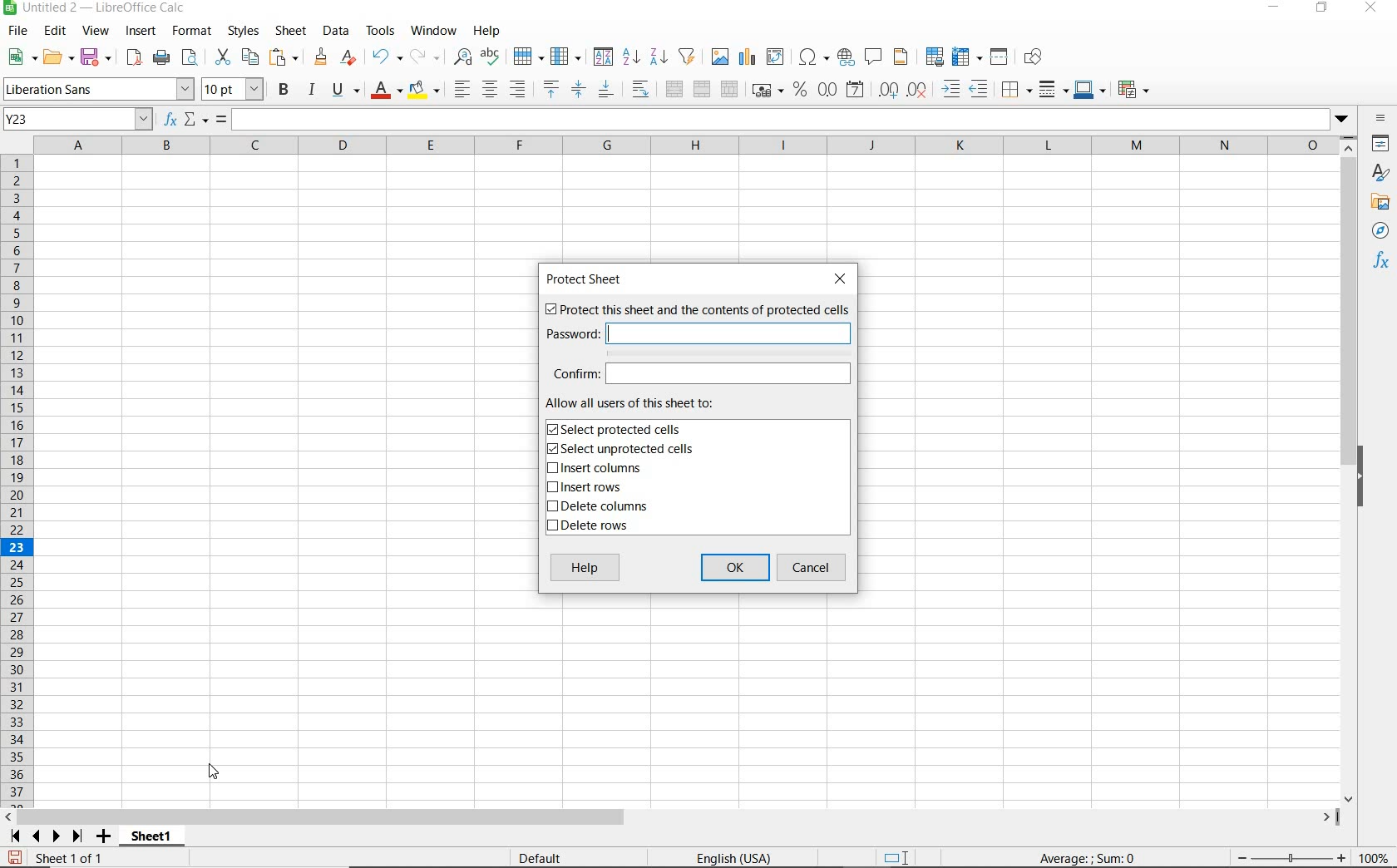 The width and height of the screenshot is (1397, 868). I want to click on INSERT, so click(141, 32).